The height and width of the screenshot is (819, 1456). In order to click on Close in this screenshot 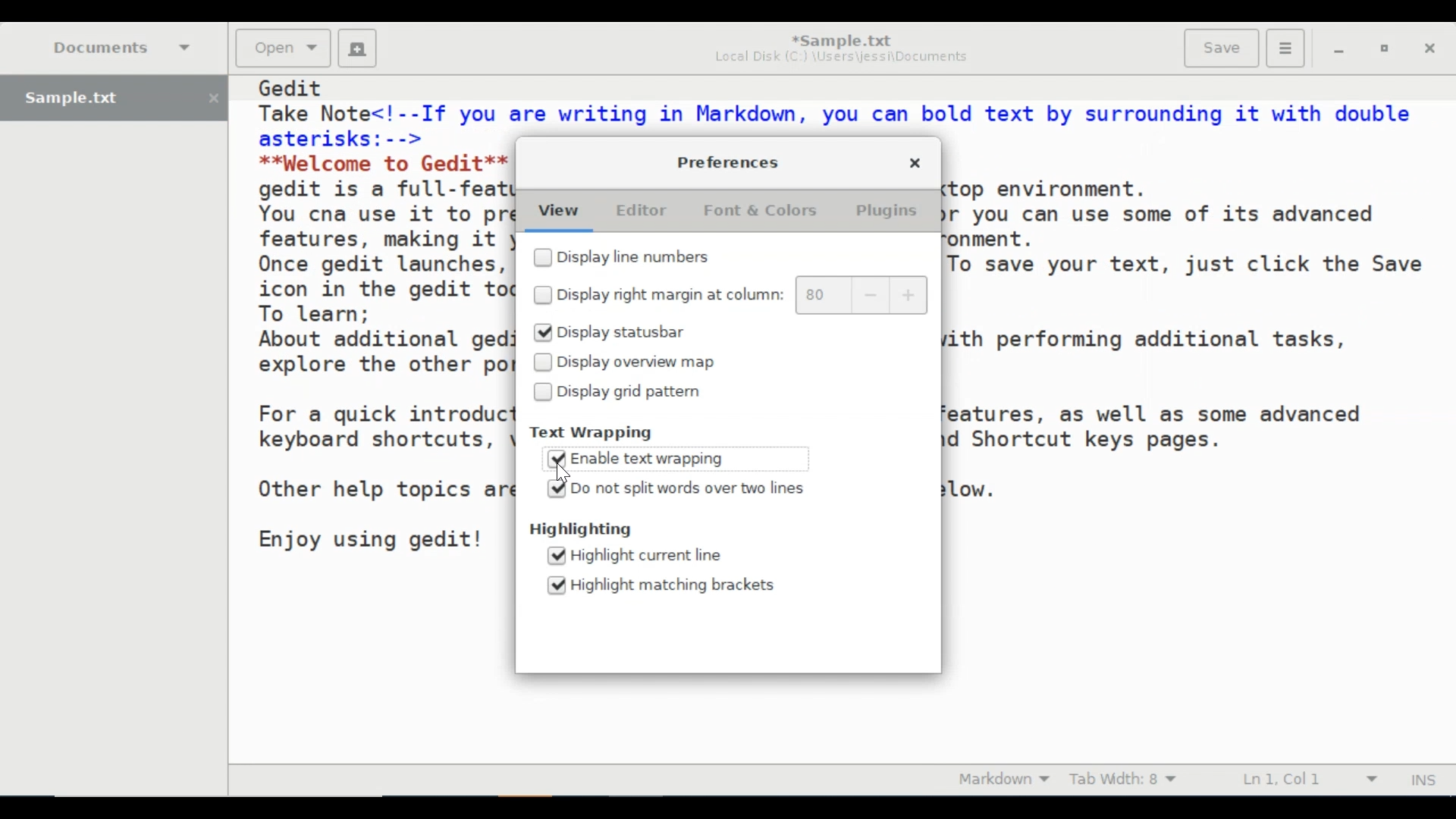, I will do `click(1430, 45)`.